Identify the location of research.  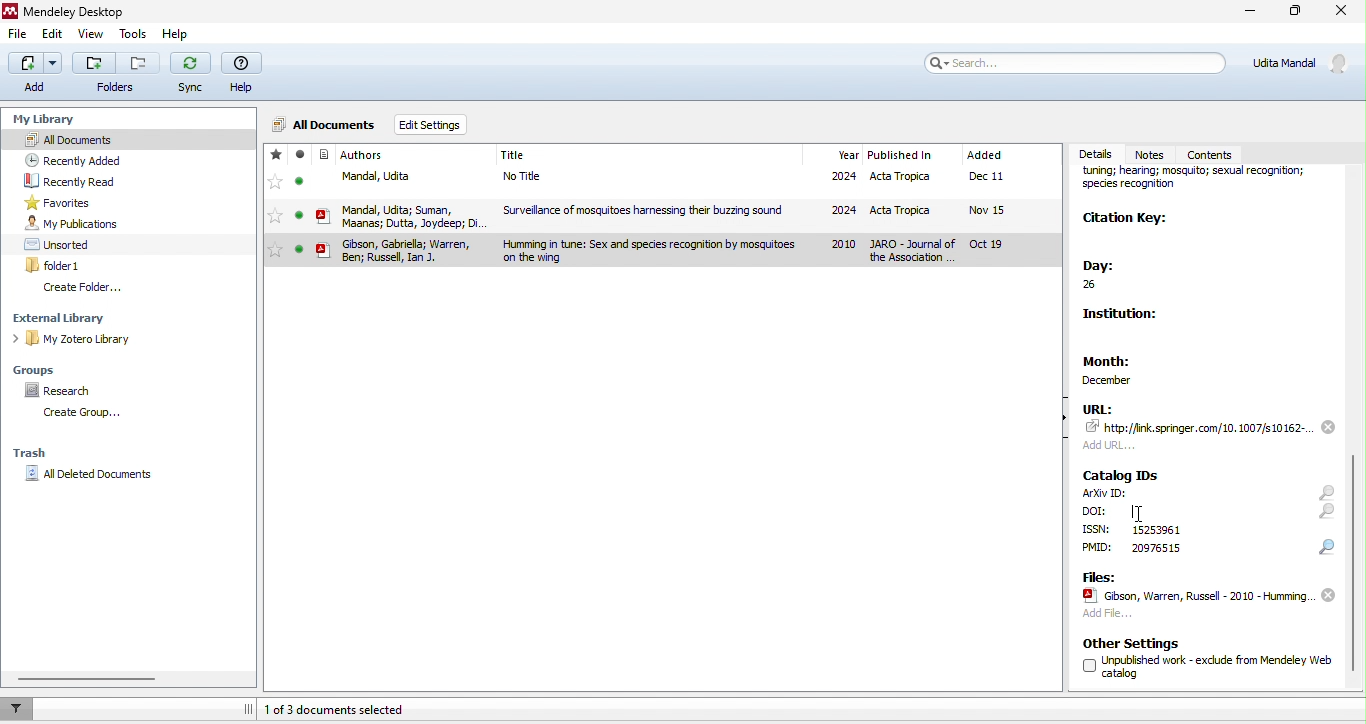
(63, 391).